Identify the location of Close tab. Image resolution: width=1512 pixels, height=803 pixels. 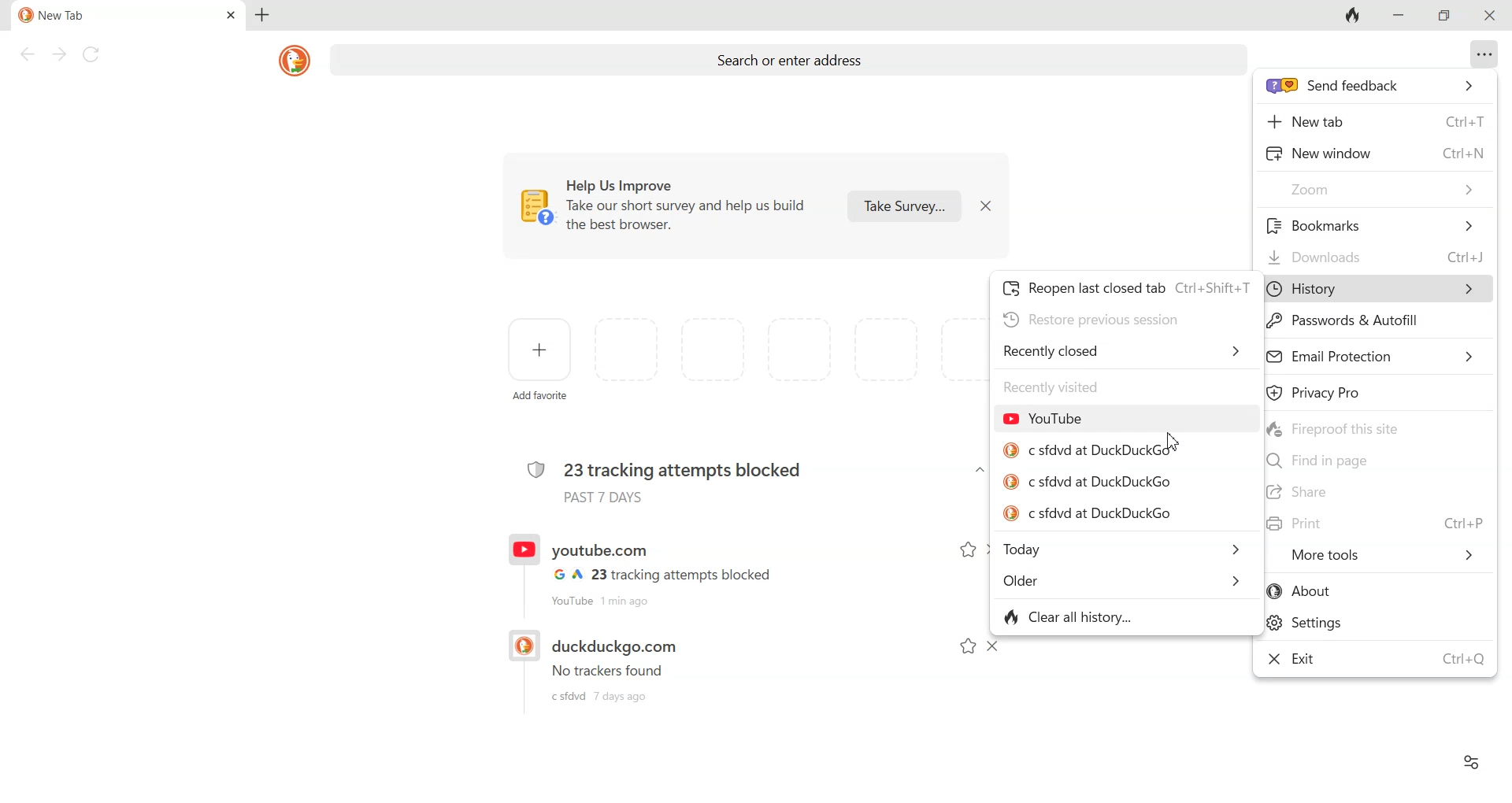
(232, 16).